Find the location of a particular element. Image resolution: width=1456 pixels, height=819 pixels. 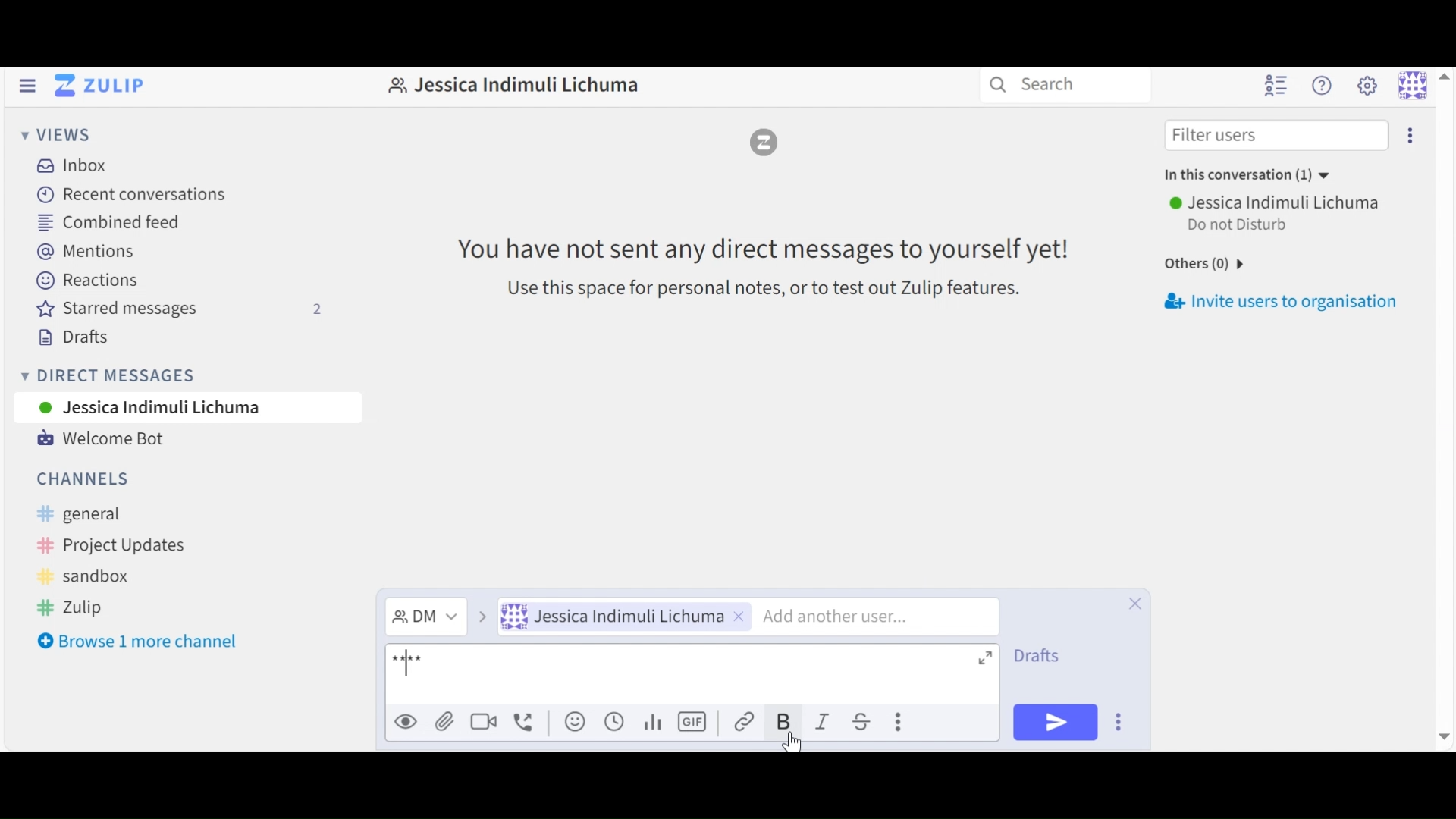

Message is located at coordinates (693, 675).